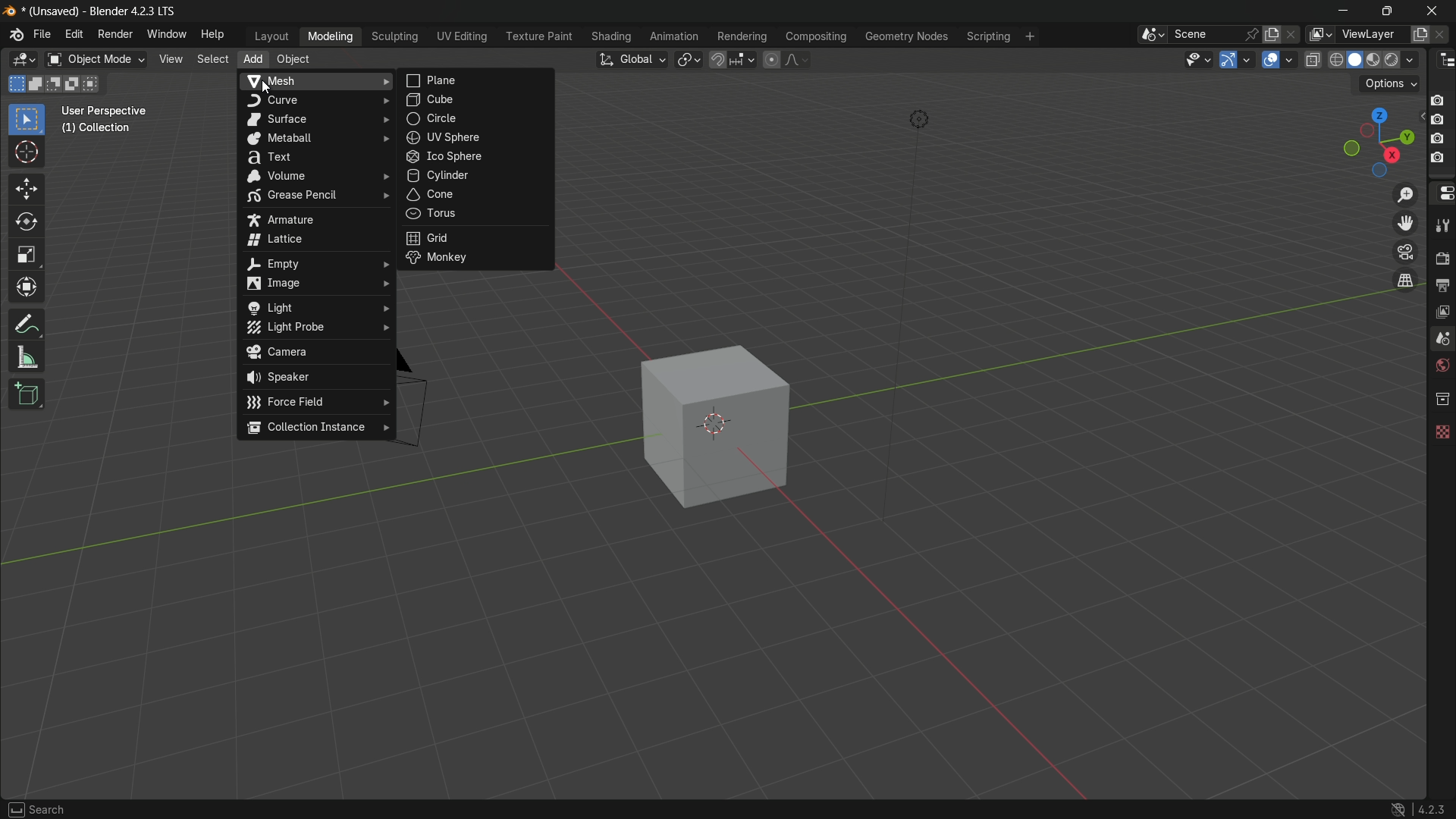 The image size is (1456, 819). I want to click on output, so click(1442, 284).